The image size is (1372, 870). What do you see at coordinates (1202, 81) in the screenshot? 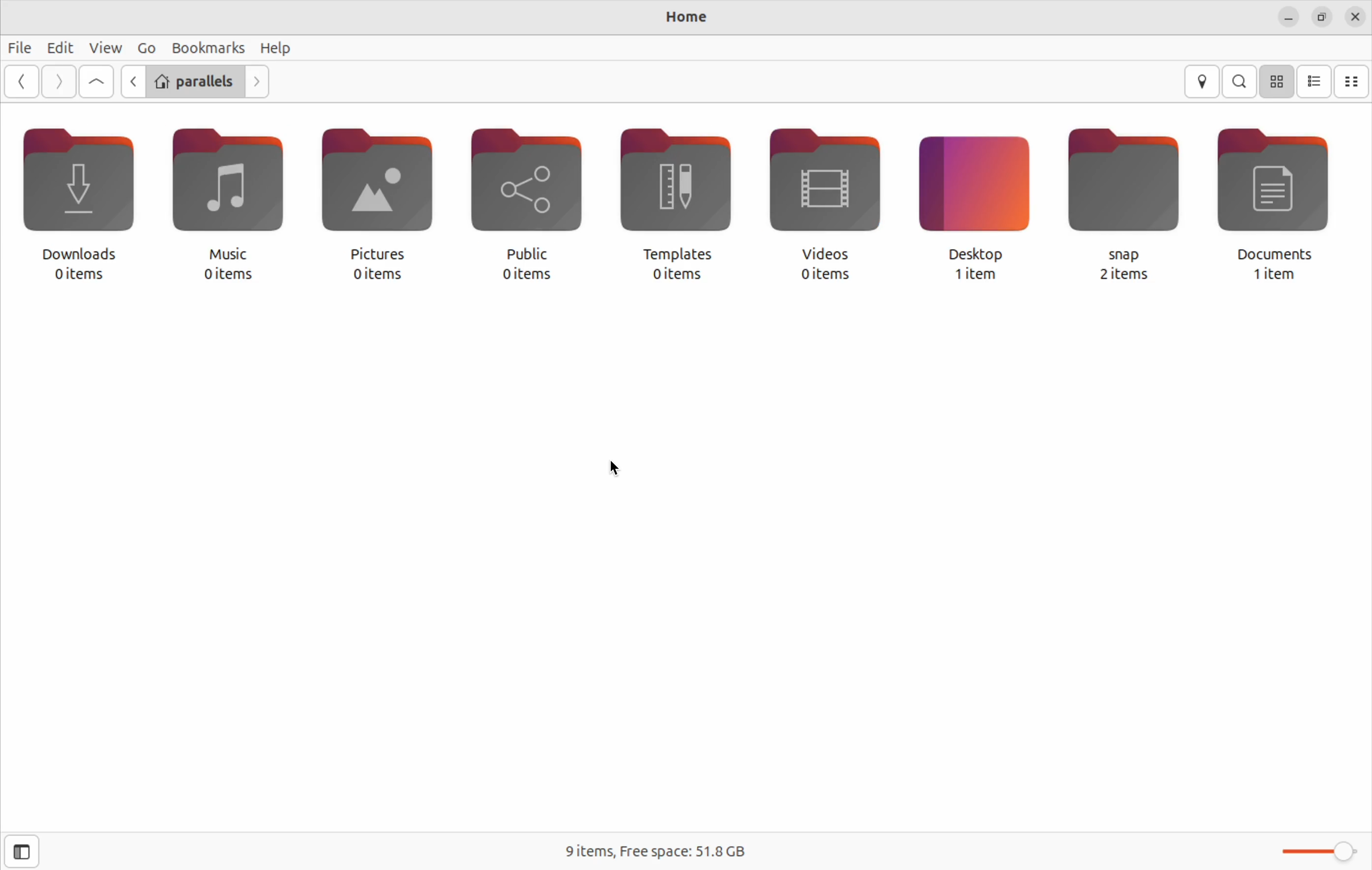
I see `location` at bounding box center [1202, 81].